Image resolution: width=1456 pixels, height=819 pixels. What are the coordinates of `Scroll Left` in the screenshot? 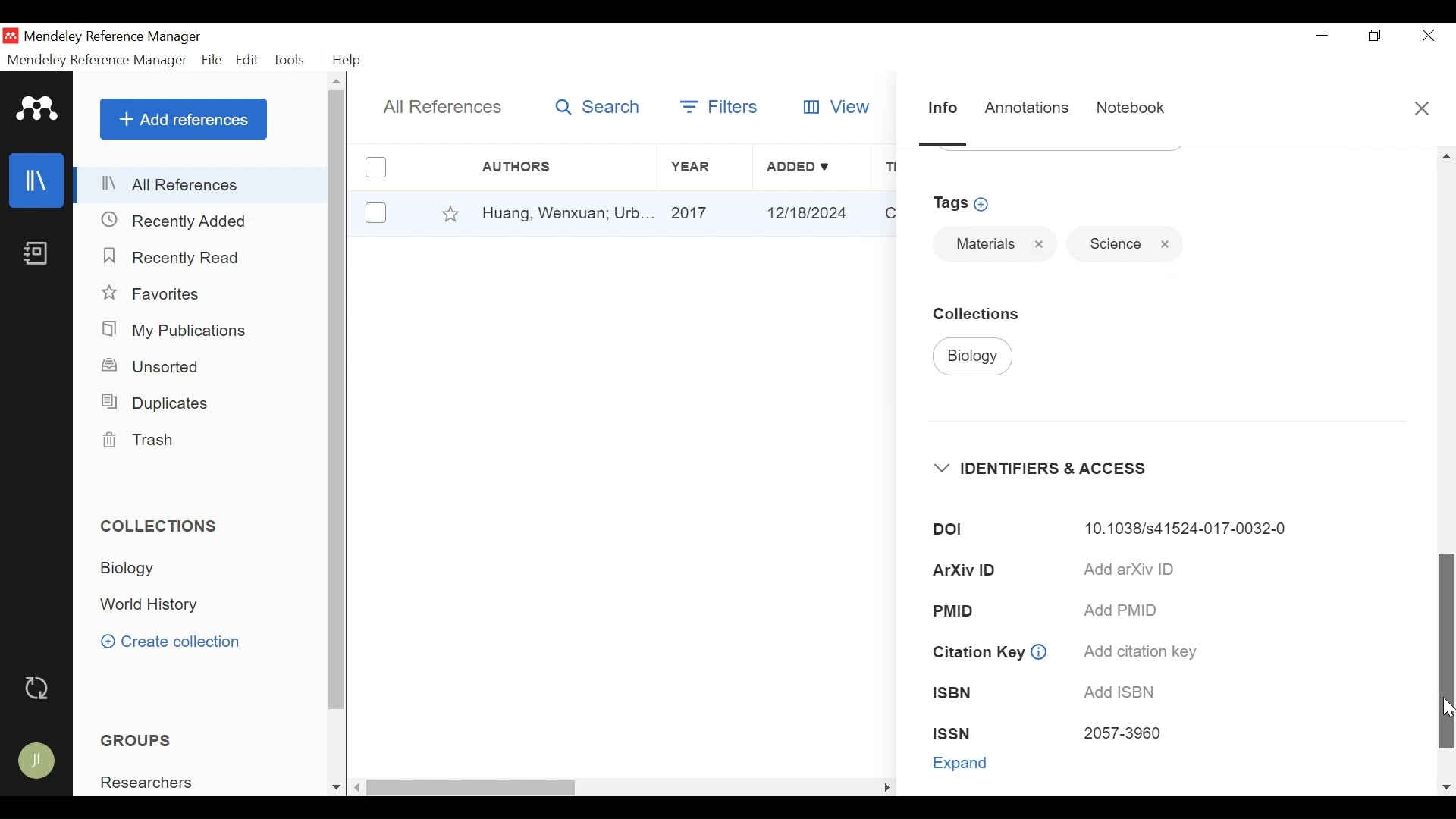 It's located at (358, 788).